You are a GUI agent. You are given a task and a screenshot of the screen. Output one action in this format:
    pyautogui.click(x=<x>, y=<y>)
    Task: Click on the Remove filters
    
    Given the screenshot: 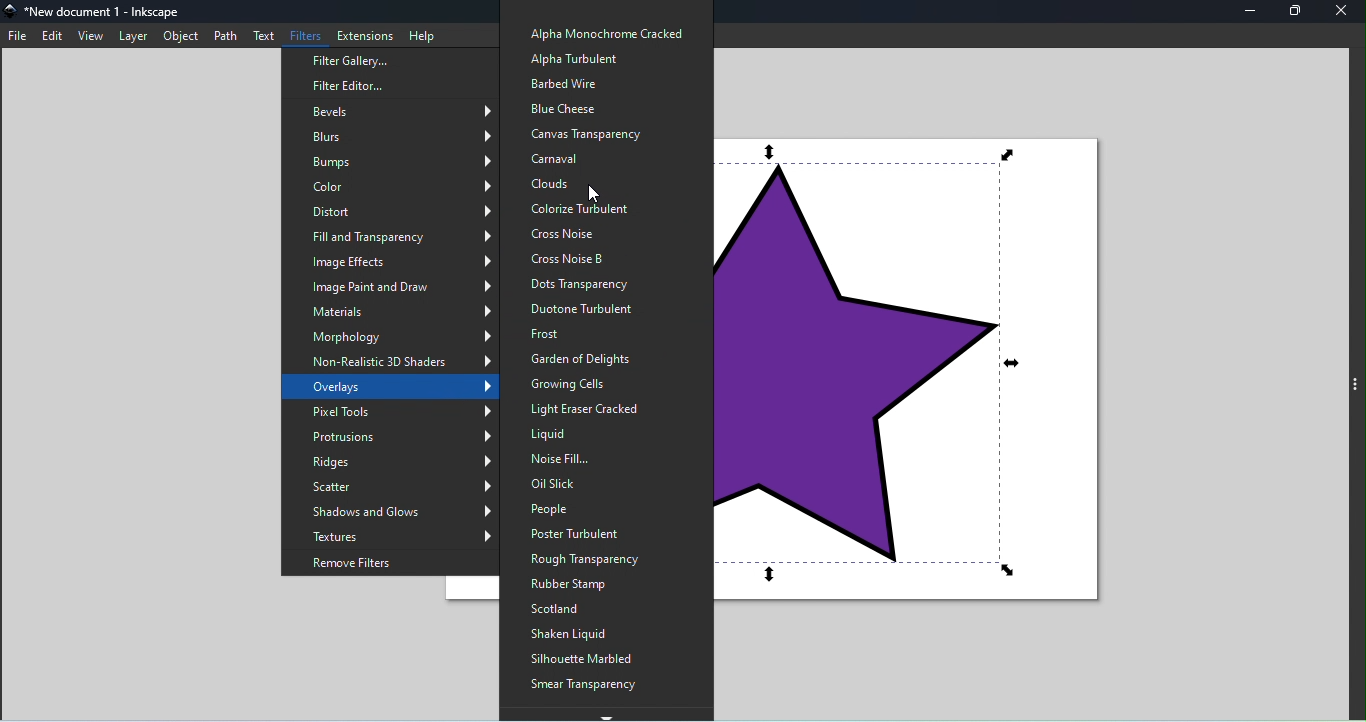 What is the action you would take?
    pyautogui.click(x=392, y=562)
    